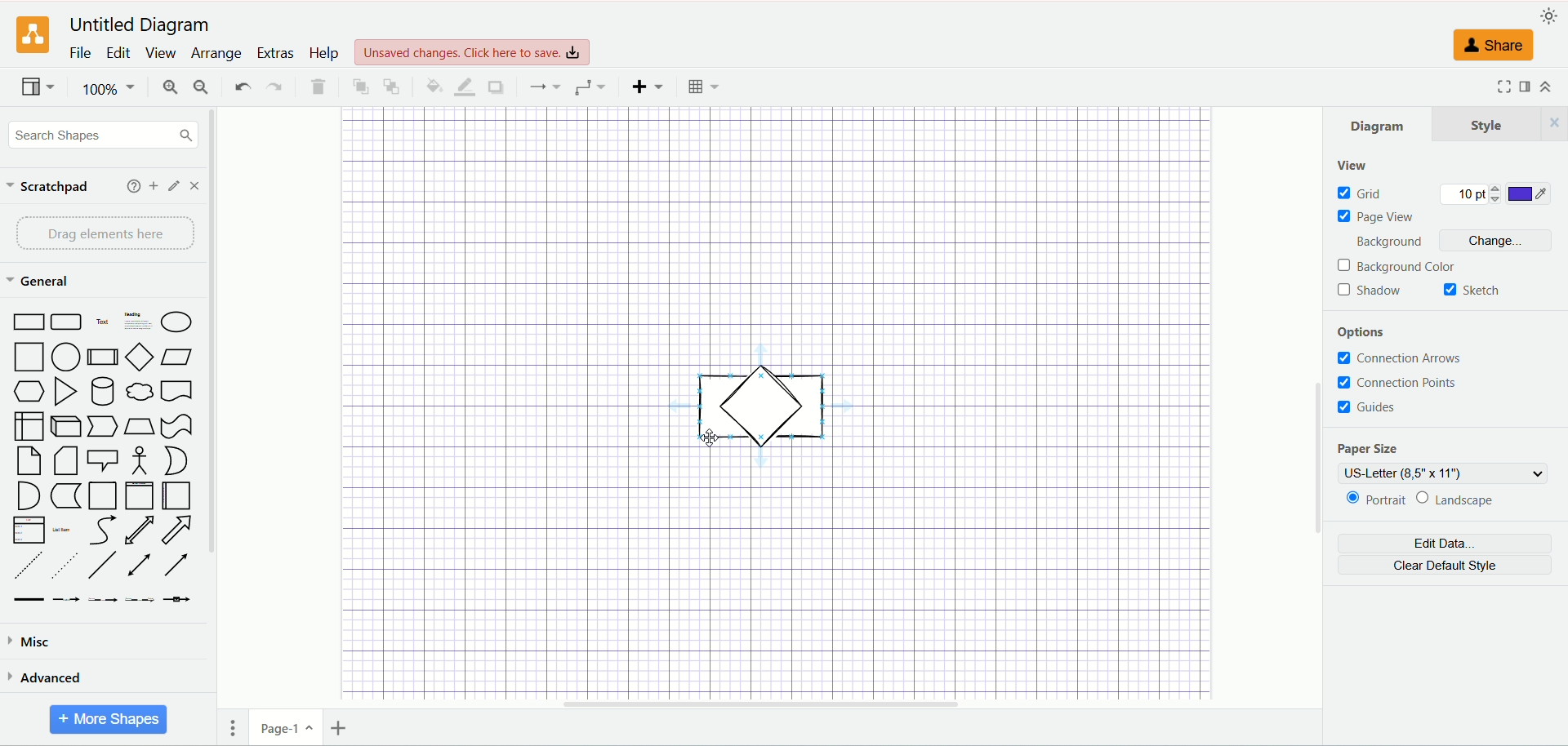 The image size is (1568, 746). Describe the element at coordinates (1549, 16) in the screenshot. I see `appearance` at that location.